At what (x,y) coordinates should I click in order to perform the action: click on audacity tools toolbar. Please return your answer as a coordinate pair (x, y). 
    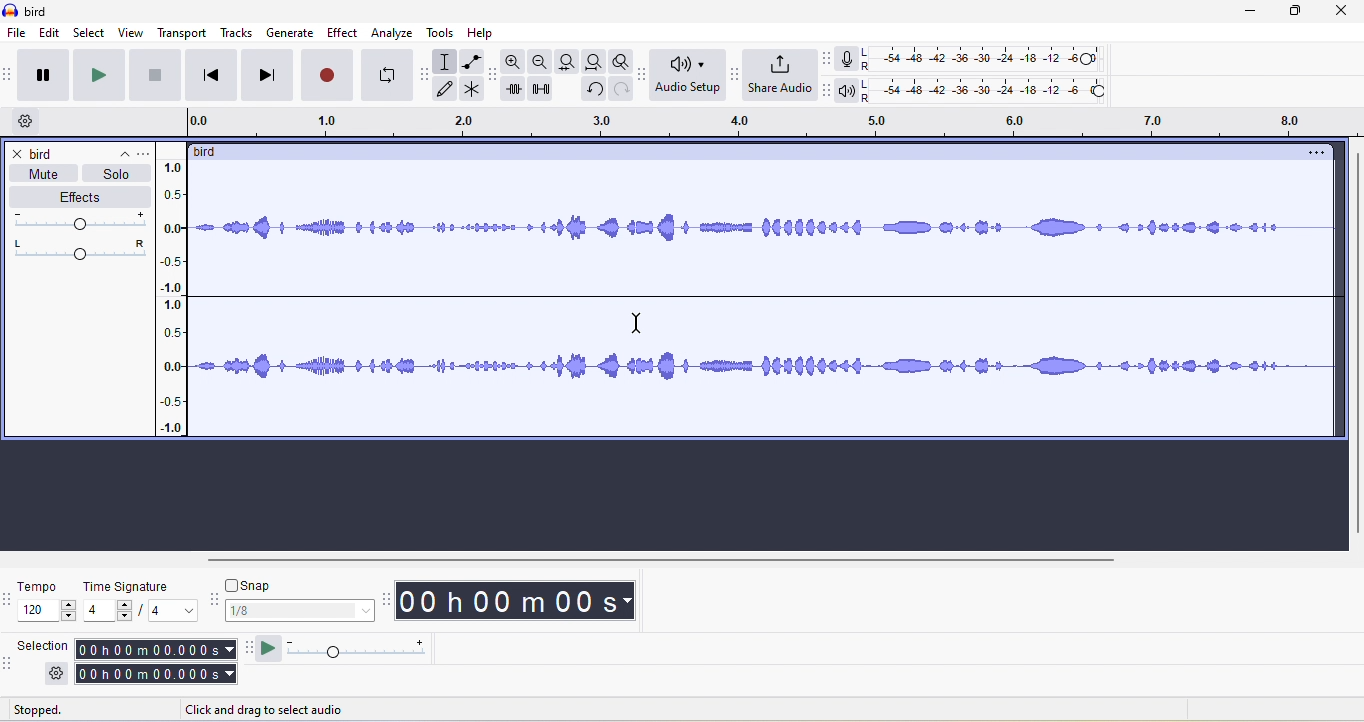
    Looking at the image, I should click on (428, 71).